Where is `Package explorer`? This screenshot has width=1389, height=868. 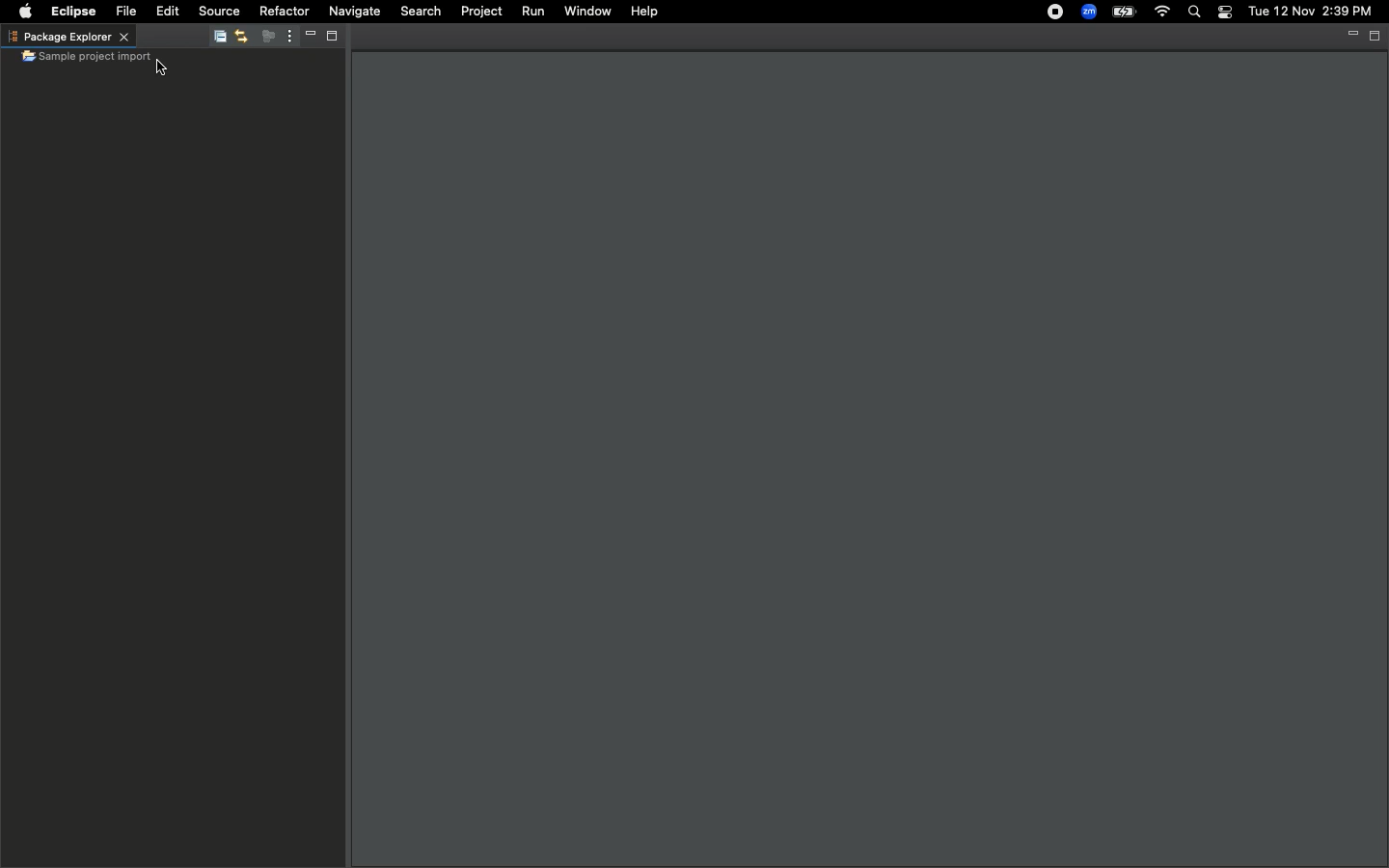
Package explorer is located at coordinates (68, 36).